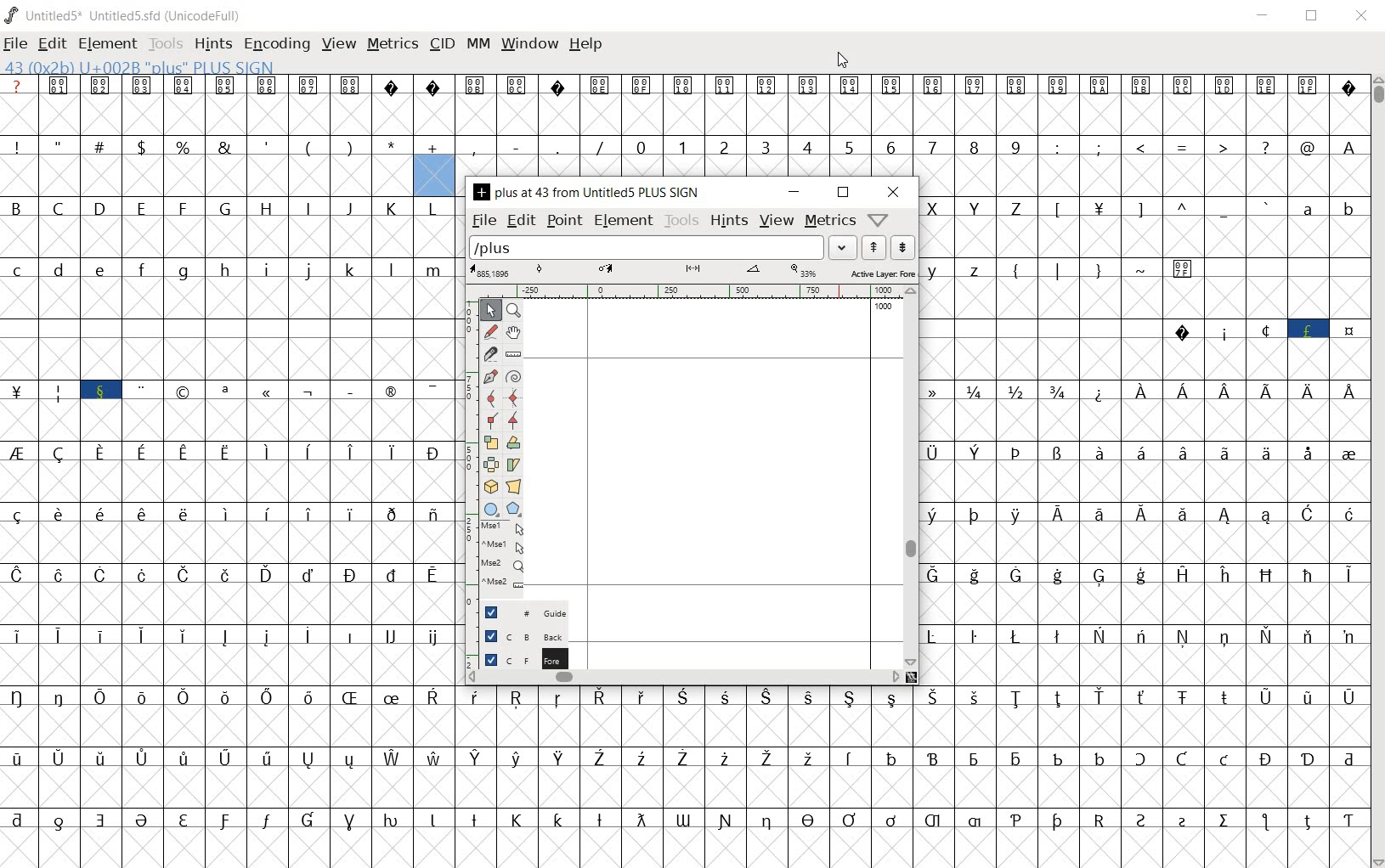 The height and width of the screenshot is (868, 1385). What do you see at coordinates (777, 222) in the screenshot?
I see `view` at bounding box center [777, 222].